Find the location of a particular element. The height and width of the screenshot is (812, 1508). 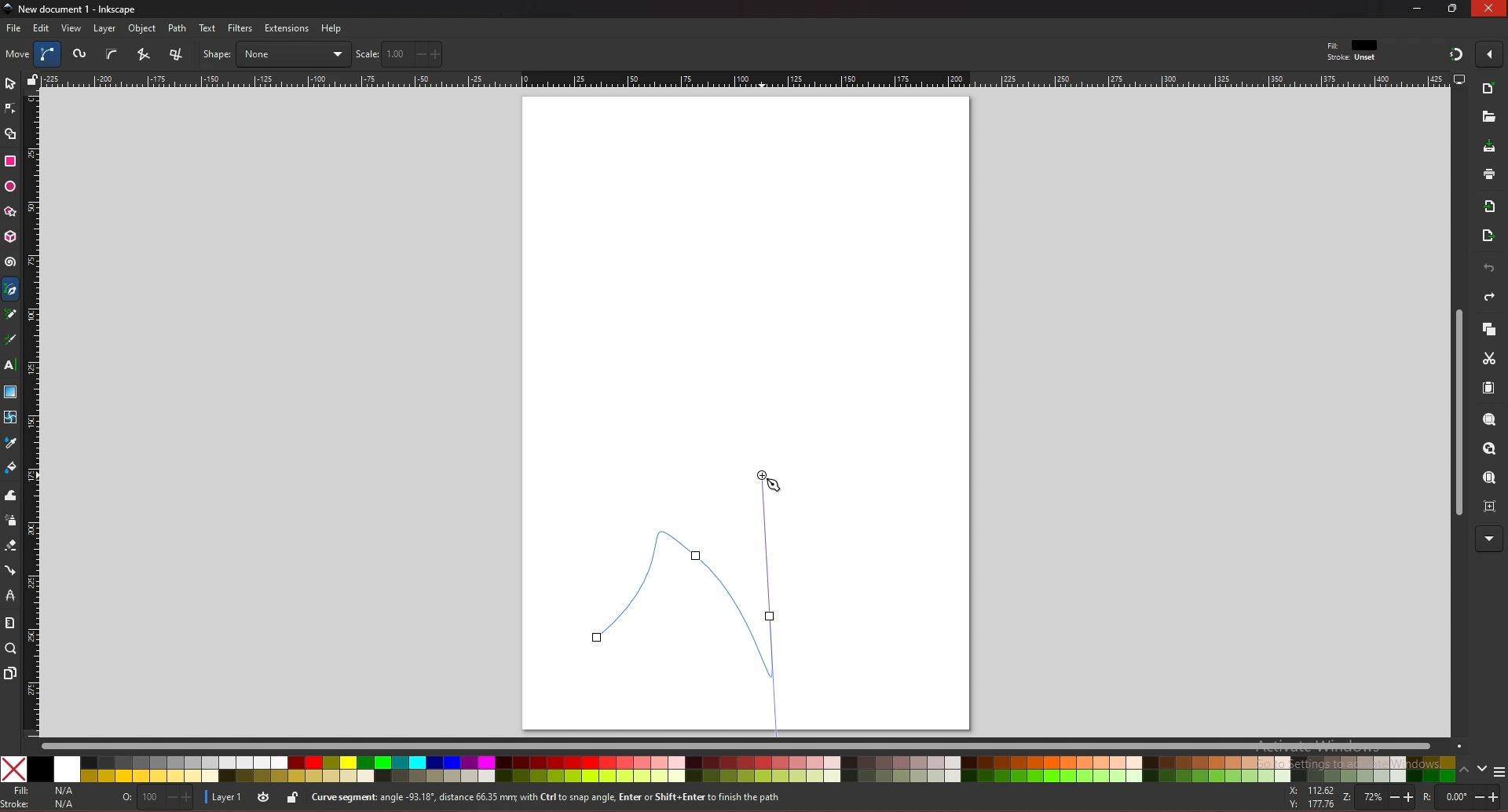

info is located at coordinates (588, 798).